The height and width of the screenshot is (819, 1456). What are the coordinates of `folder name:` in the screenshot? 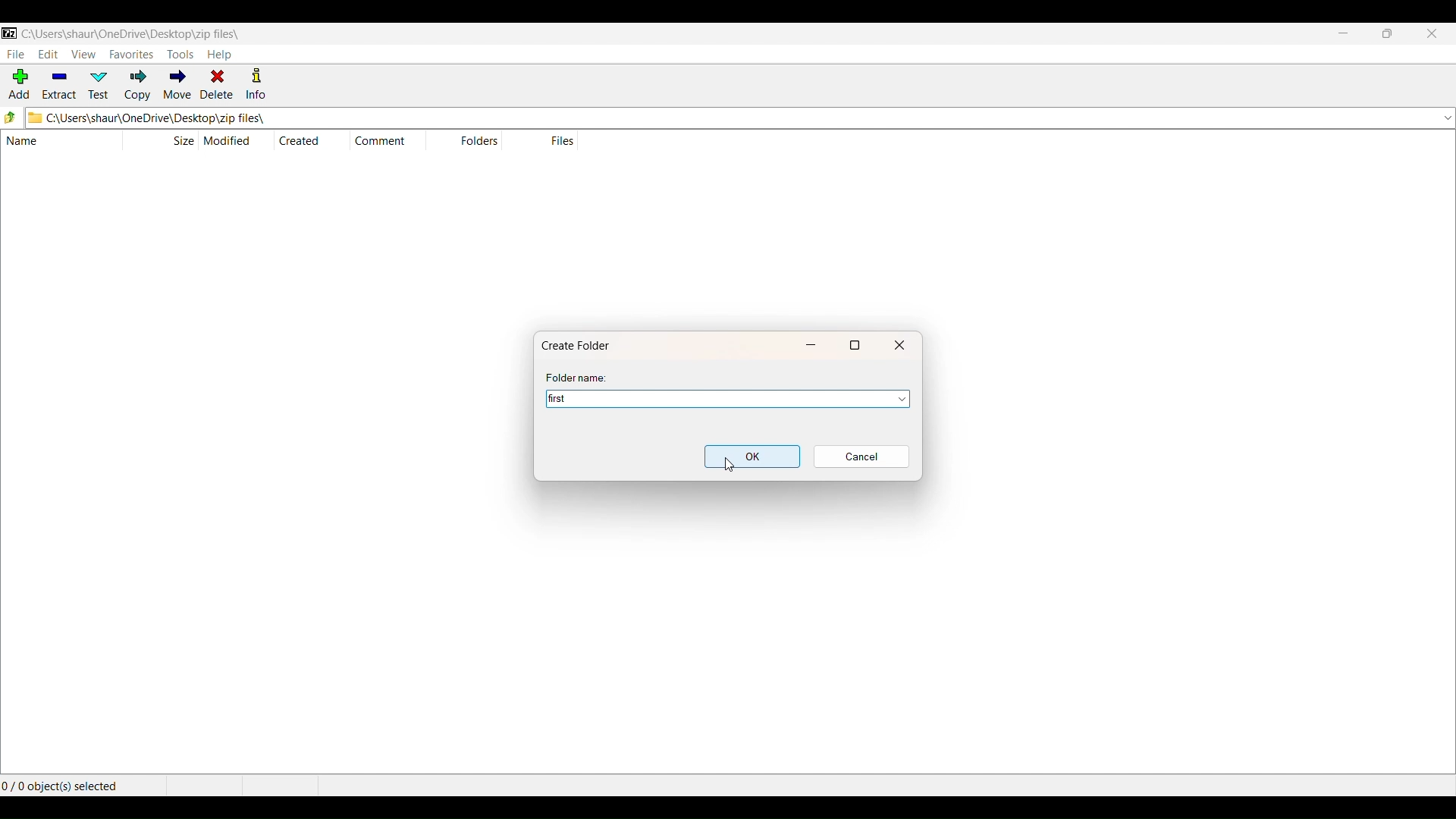 It's located at (579, 378).